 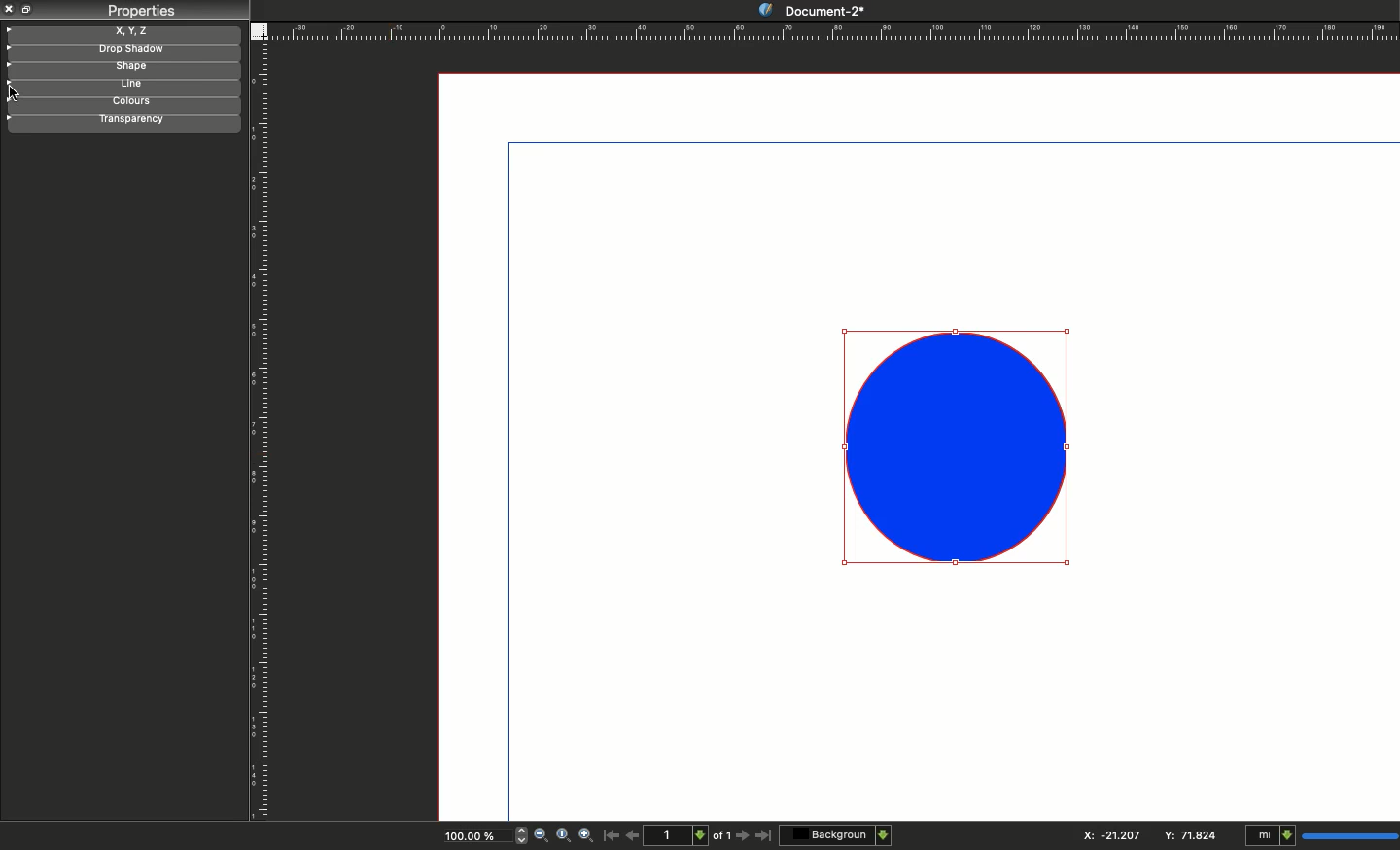 I want to click on Last page, so click(x=764, y=836).